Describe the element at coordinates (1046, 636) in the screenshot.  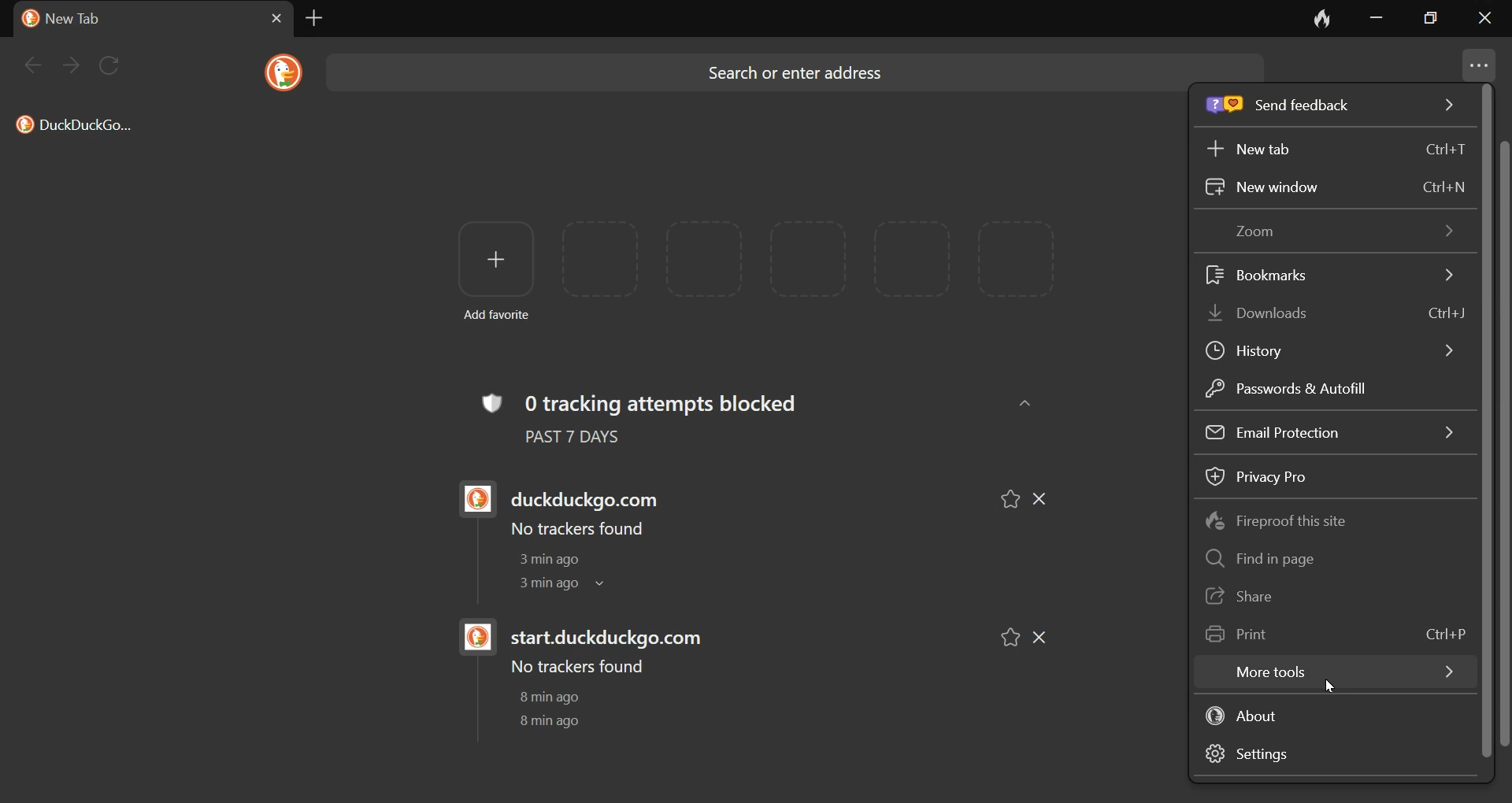
I see `cancel` at that location.